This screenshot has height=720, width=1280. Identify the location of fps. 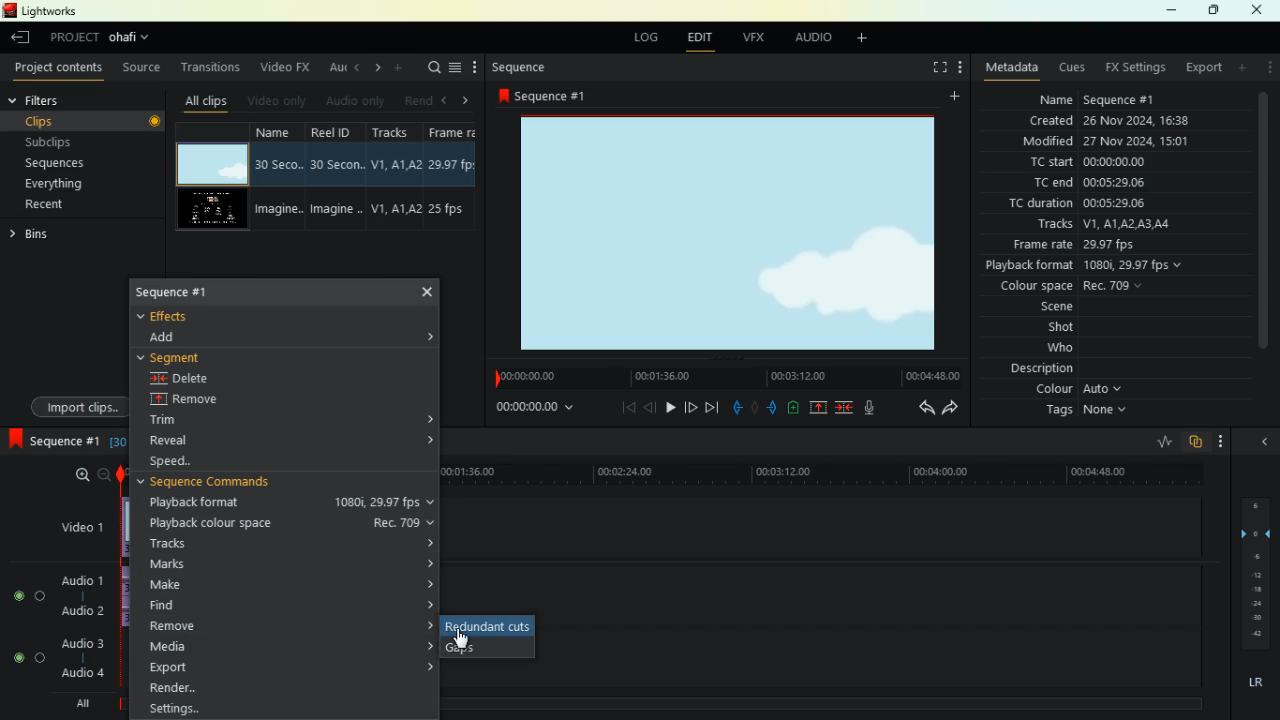
(458, 176).